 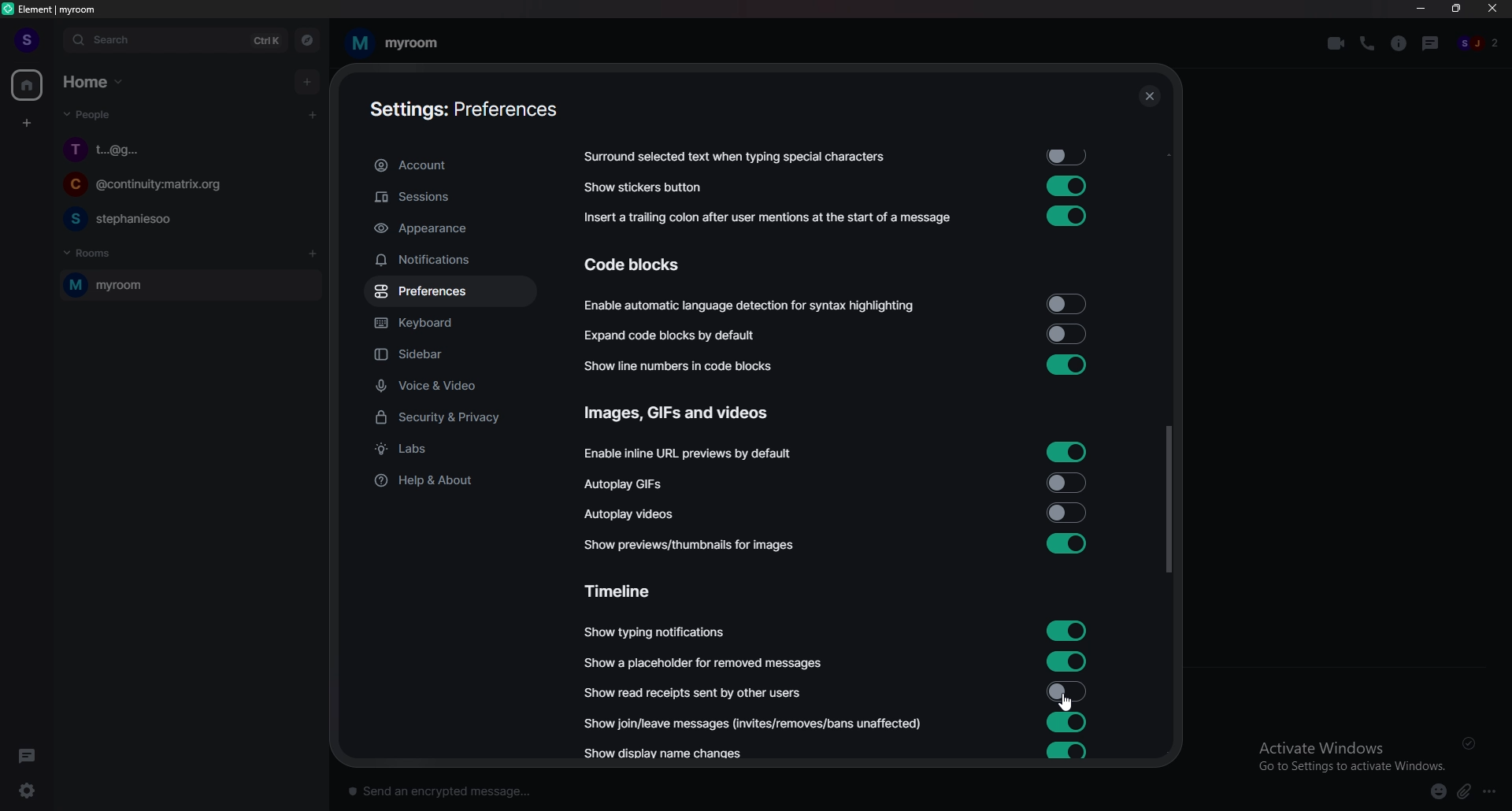 I want to click on show previews for images, so click(x=695, y=545).